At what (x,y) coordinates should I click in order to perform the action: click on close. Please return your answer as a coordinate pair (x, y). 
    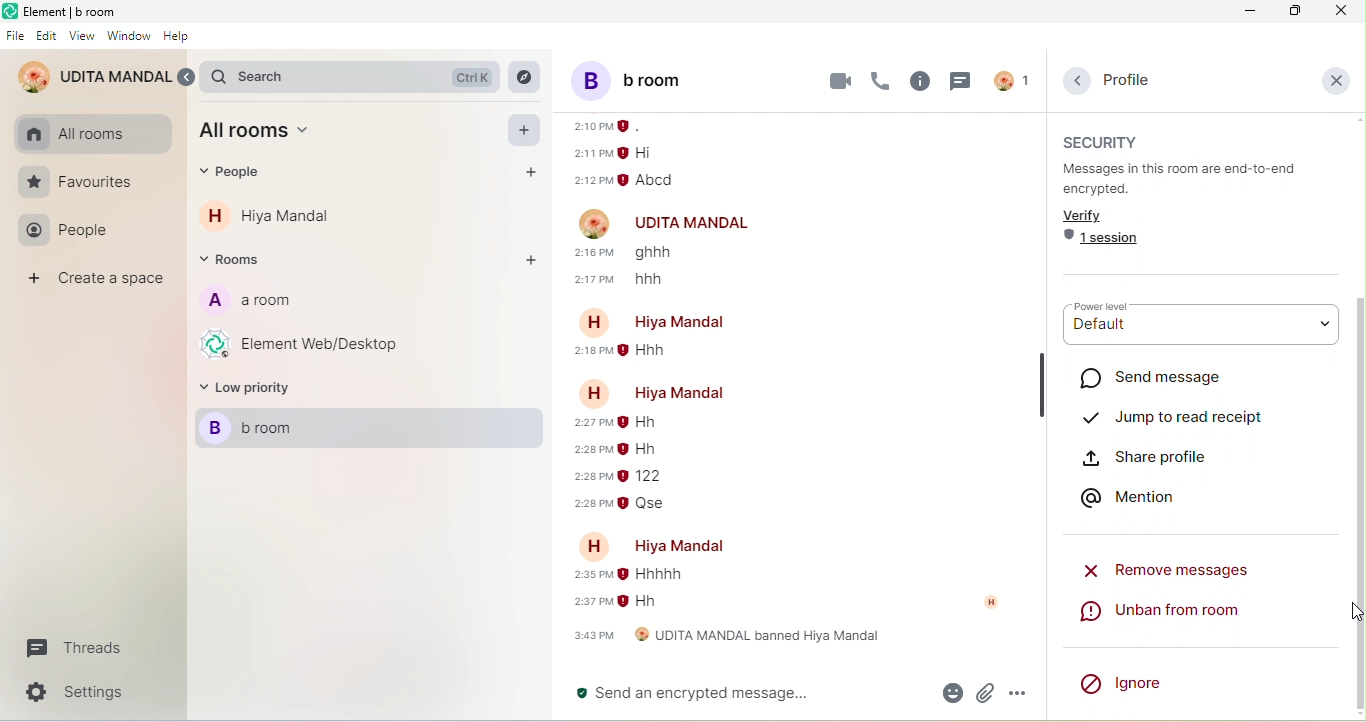
    Looking at the image, I should click on (1336, 79).